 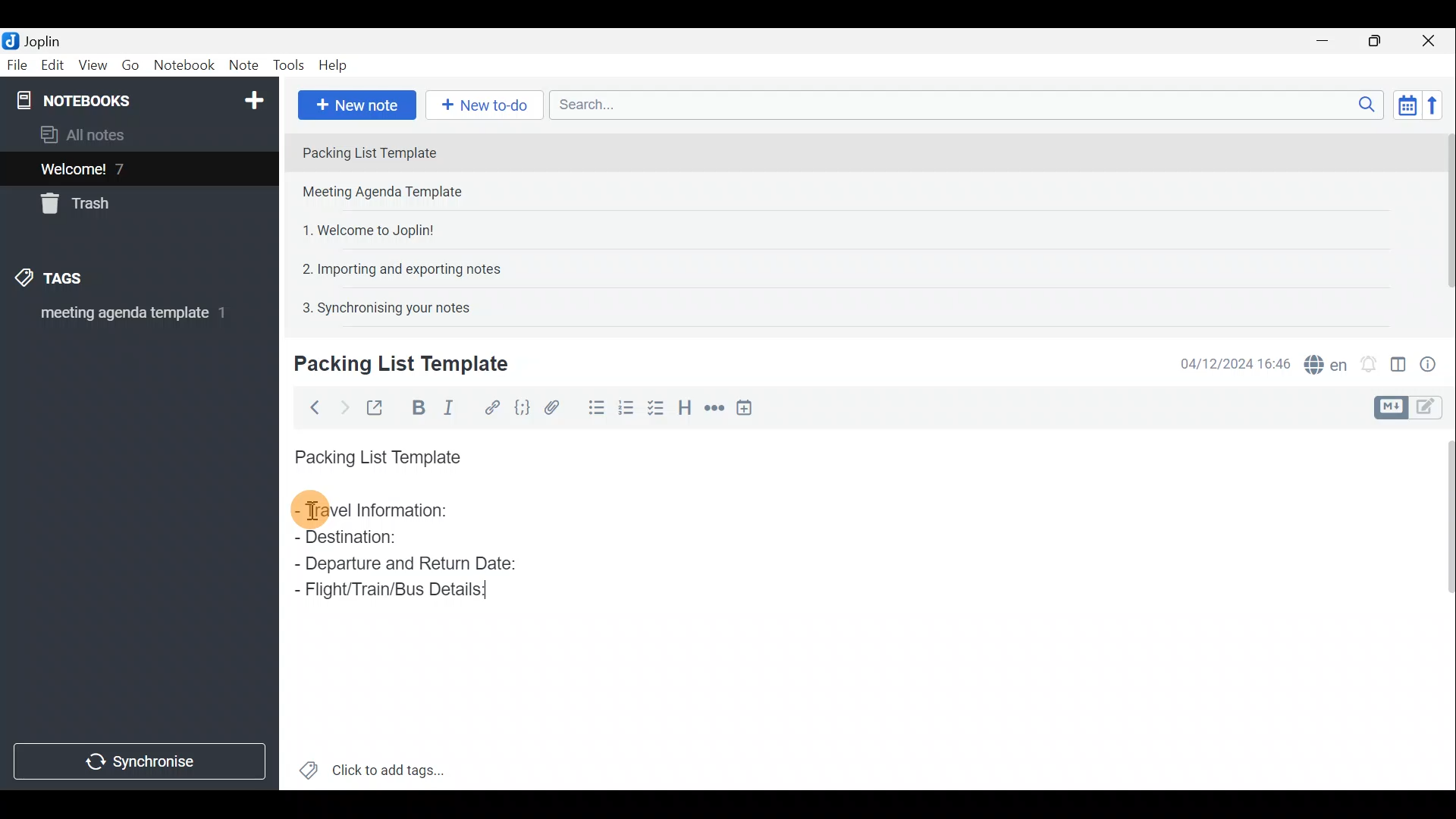 What do you see at coordinates (593, 410) in the screenshot?
I see `Bulleted list` at bounding box center [593, 410].